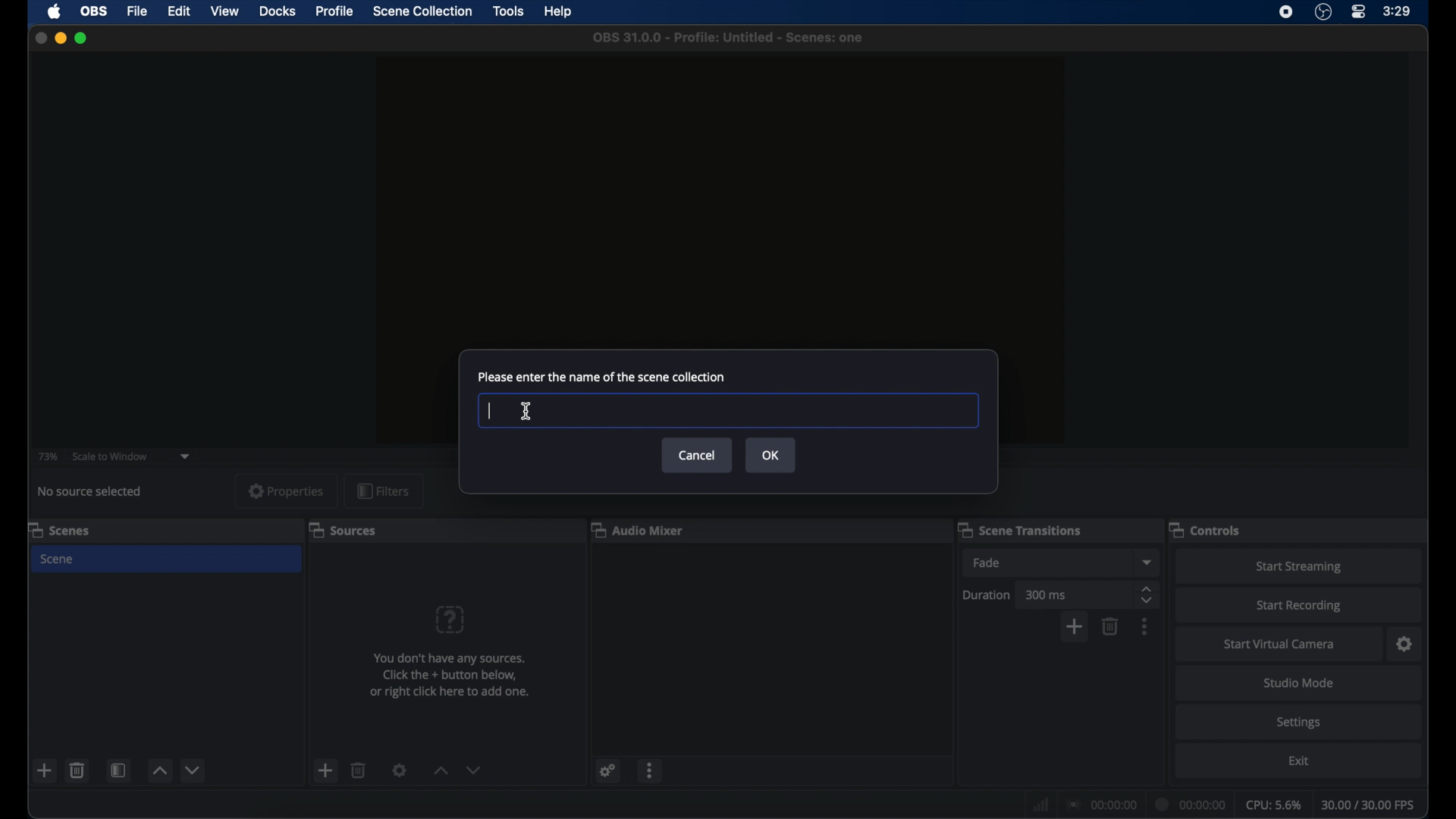 This screenshot has width=1456, height=819. What do you see at coordinates (1147, 562) in the screenshot?
I see `dropdown menu` at bounding box center [1147, 562].